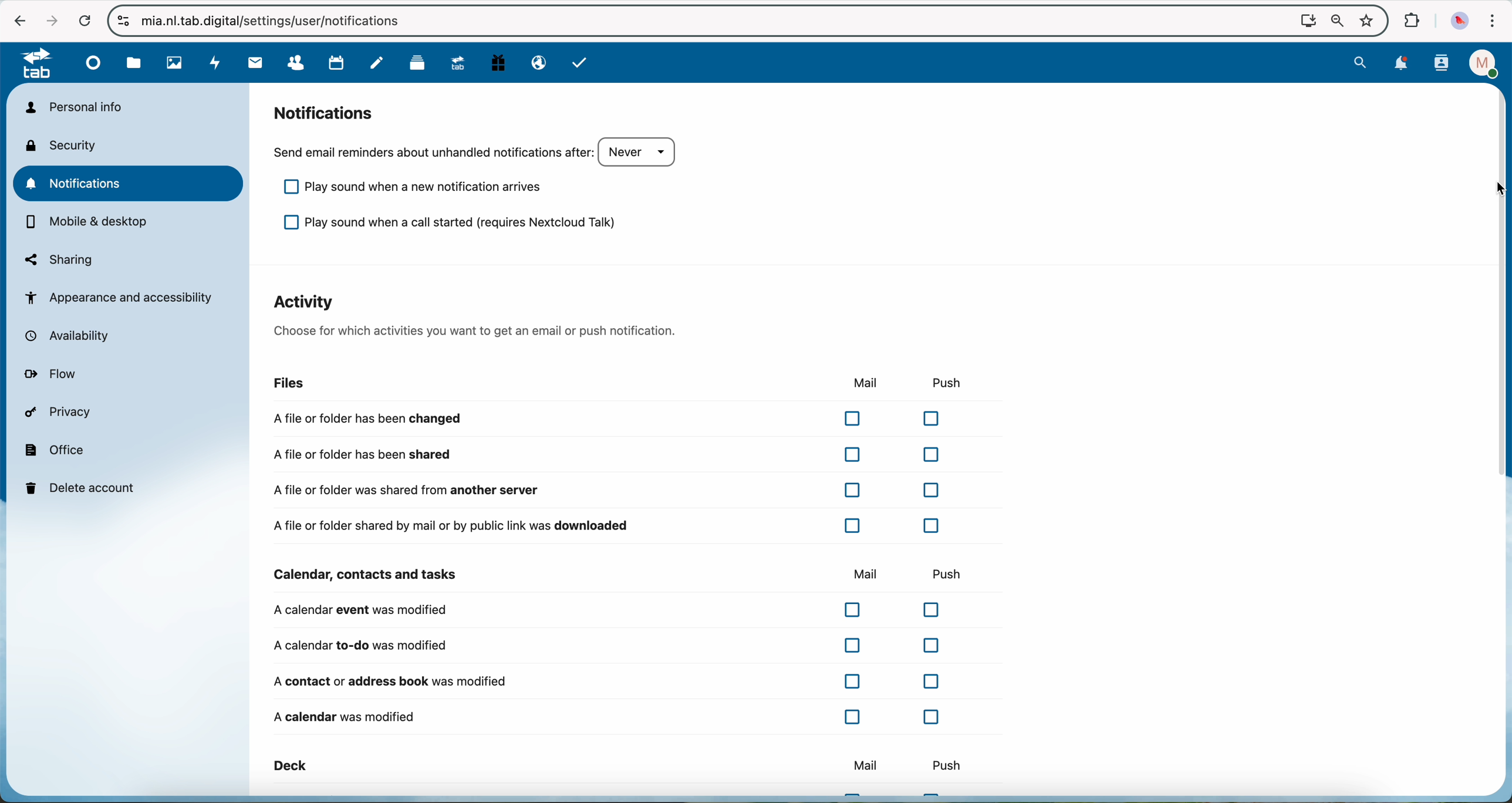  Describe the element at coordinates (1503, 288) in the screenshot. I see `scroll bar` at that location.